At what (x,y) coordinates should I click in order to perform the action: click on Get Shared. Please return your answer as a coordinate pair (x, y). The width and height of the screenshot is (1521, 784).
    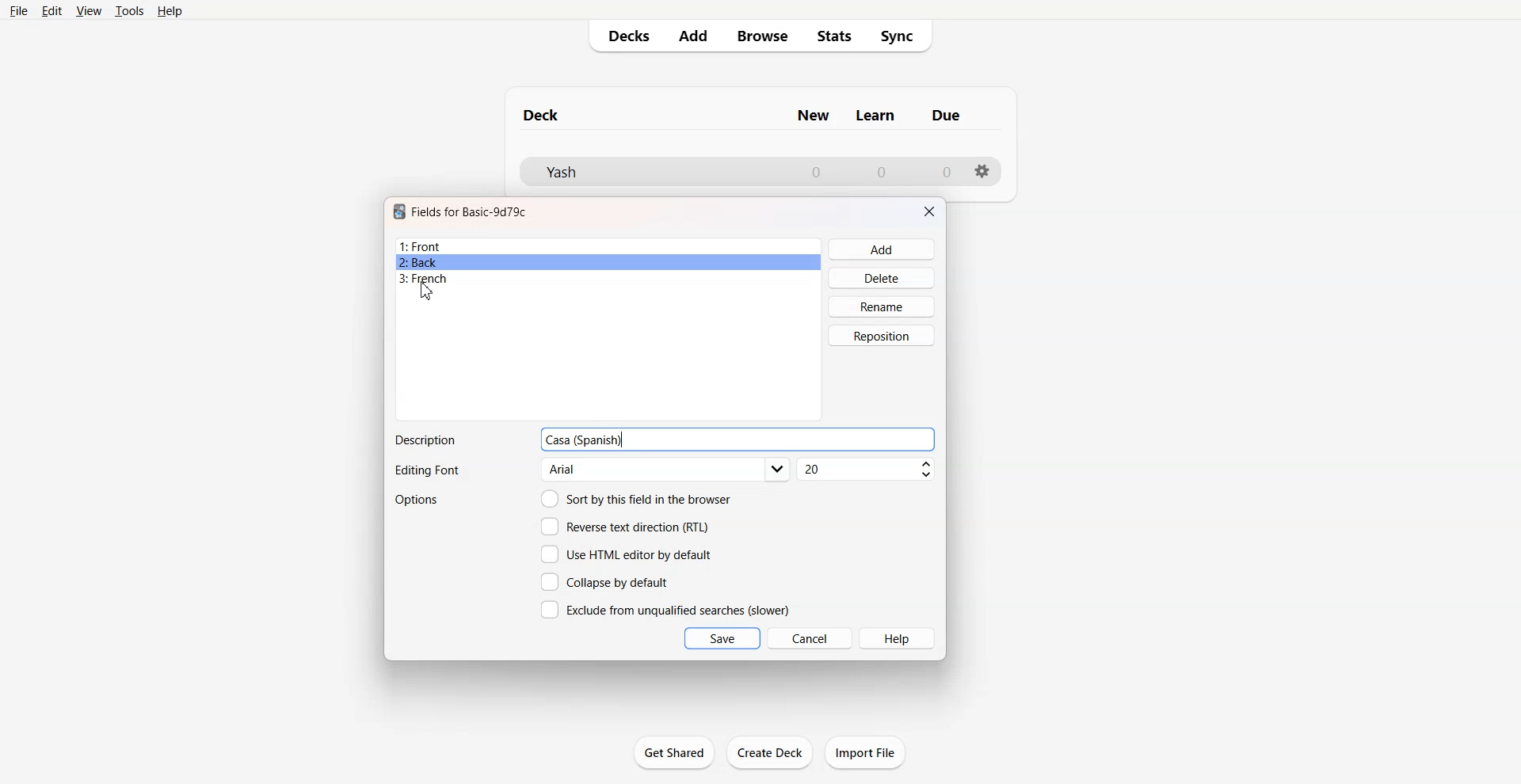
    Looking at the image, I should click on (674, 752).